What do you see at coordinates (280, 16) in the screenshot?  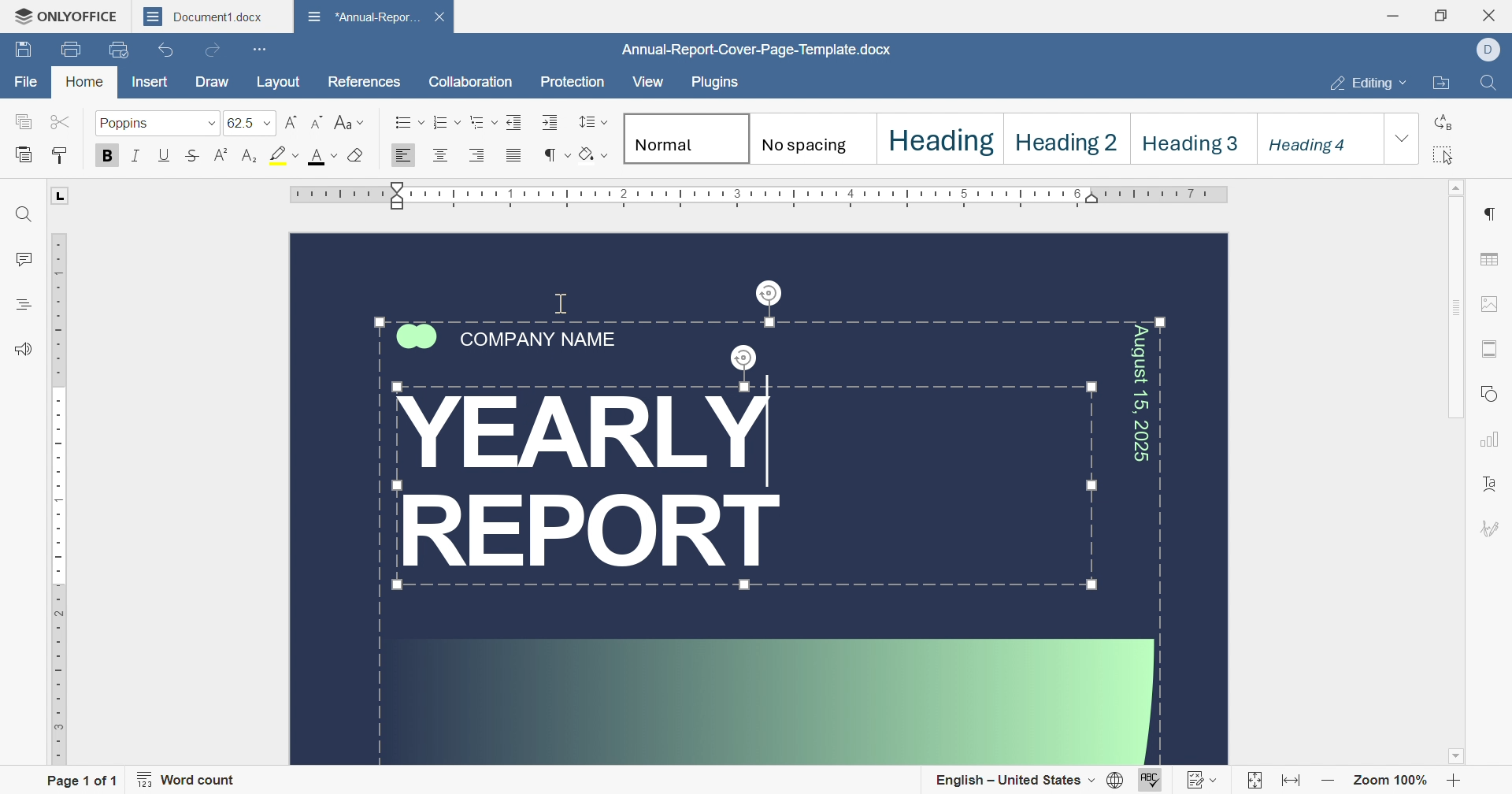 I see `close` at bounding box center [280, 16].